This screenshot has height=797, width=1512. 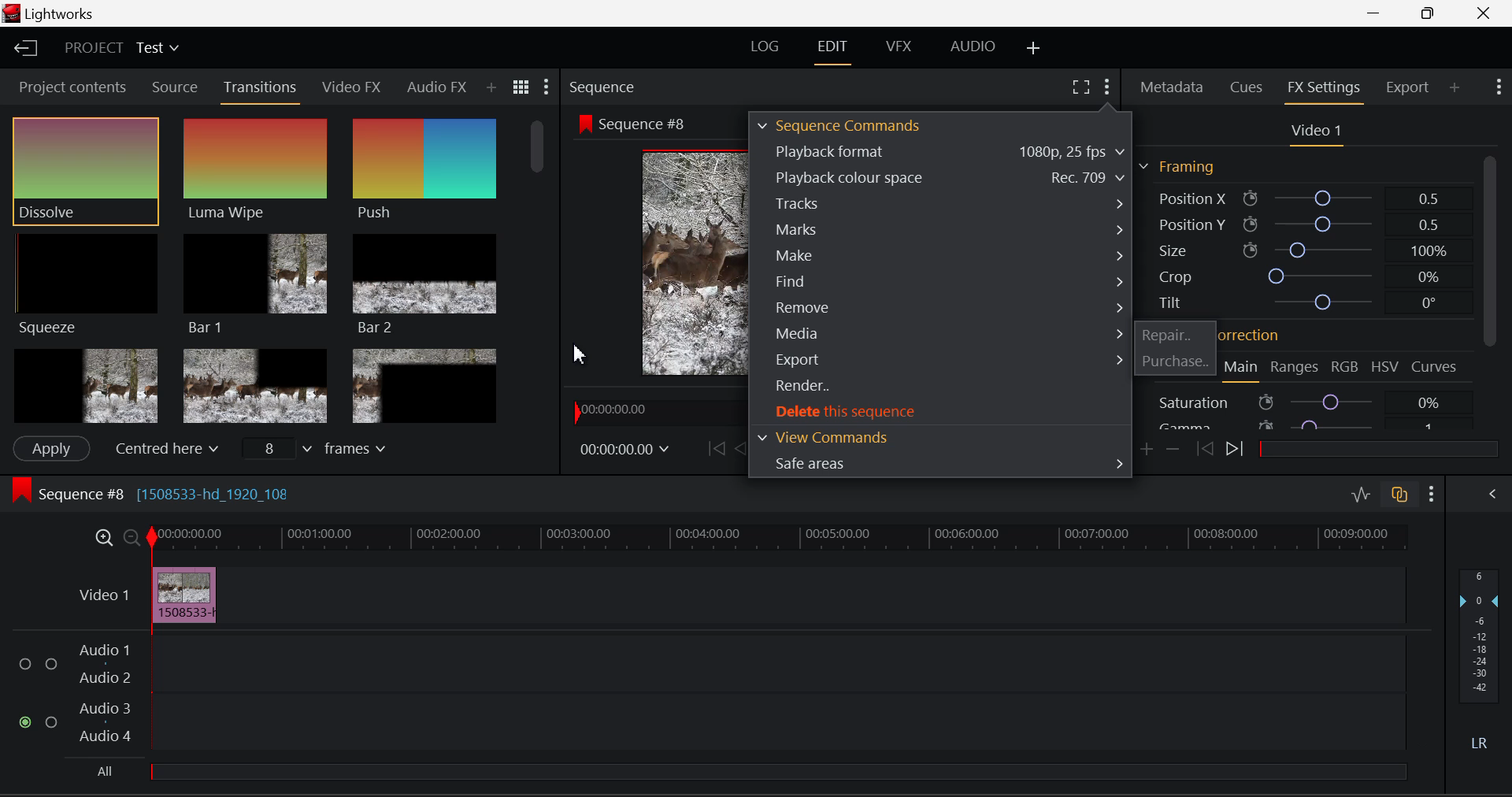 What do you see at coordinates (1499, 85) in the screenshot?
I see `Show Settings` at bounding box center [1499, 85].